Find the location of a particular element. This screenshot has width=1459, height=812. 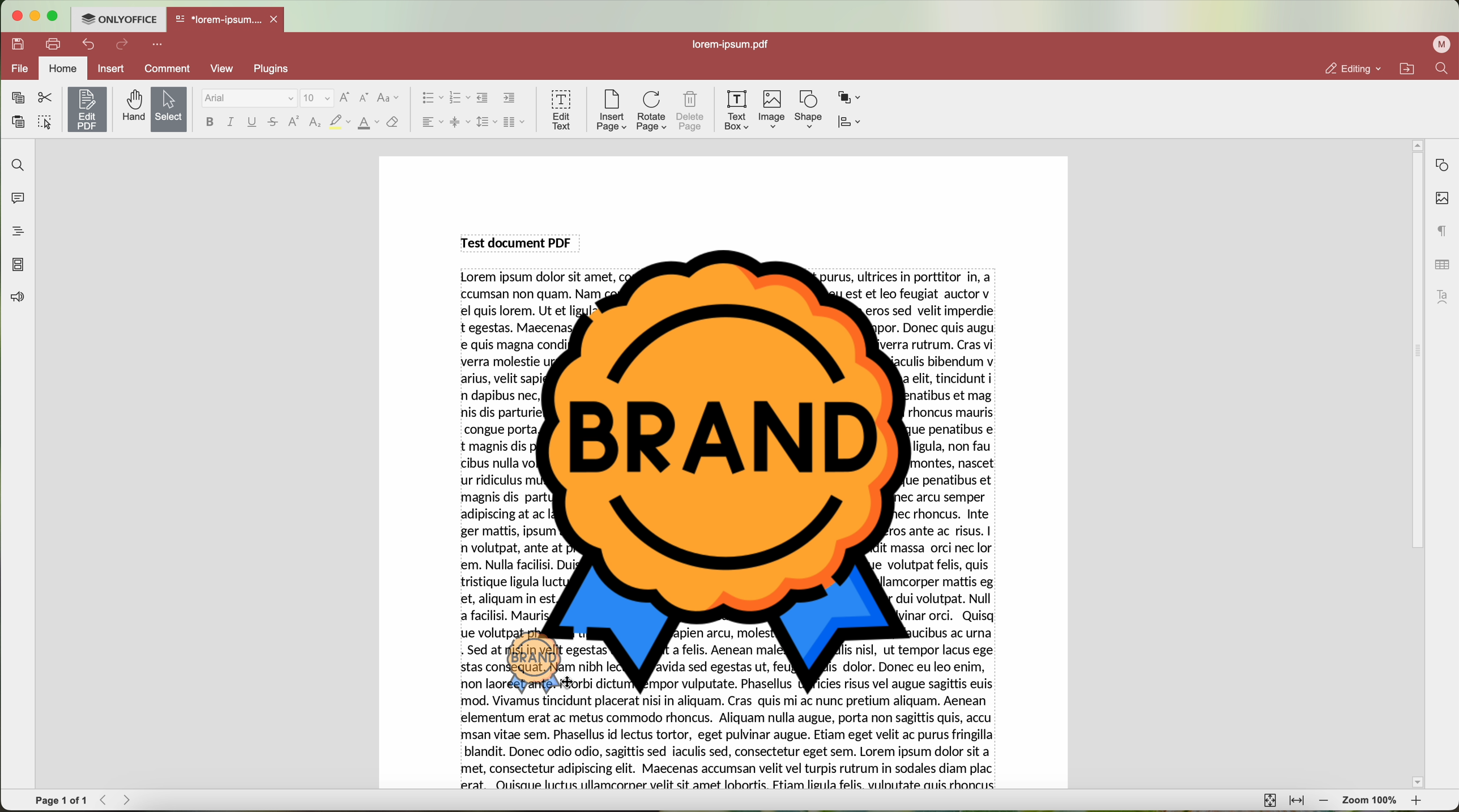

rotate page is located at coordinates (652, 112).